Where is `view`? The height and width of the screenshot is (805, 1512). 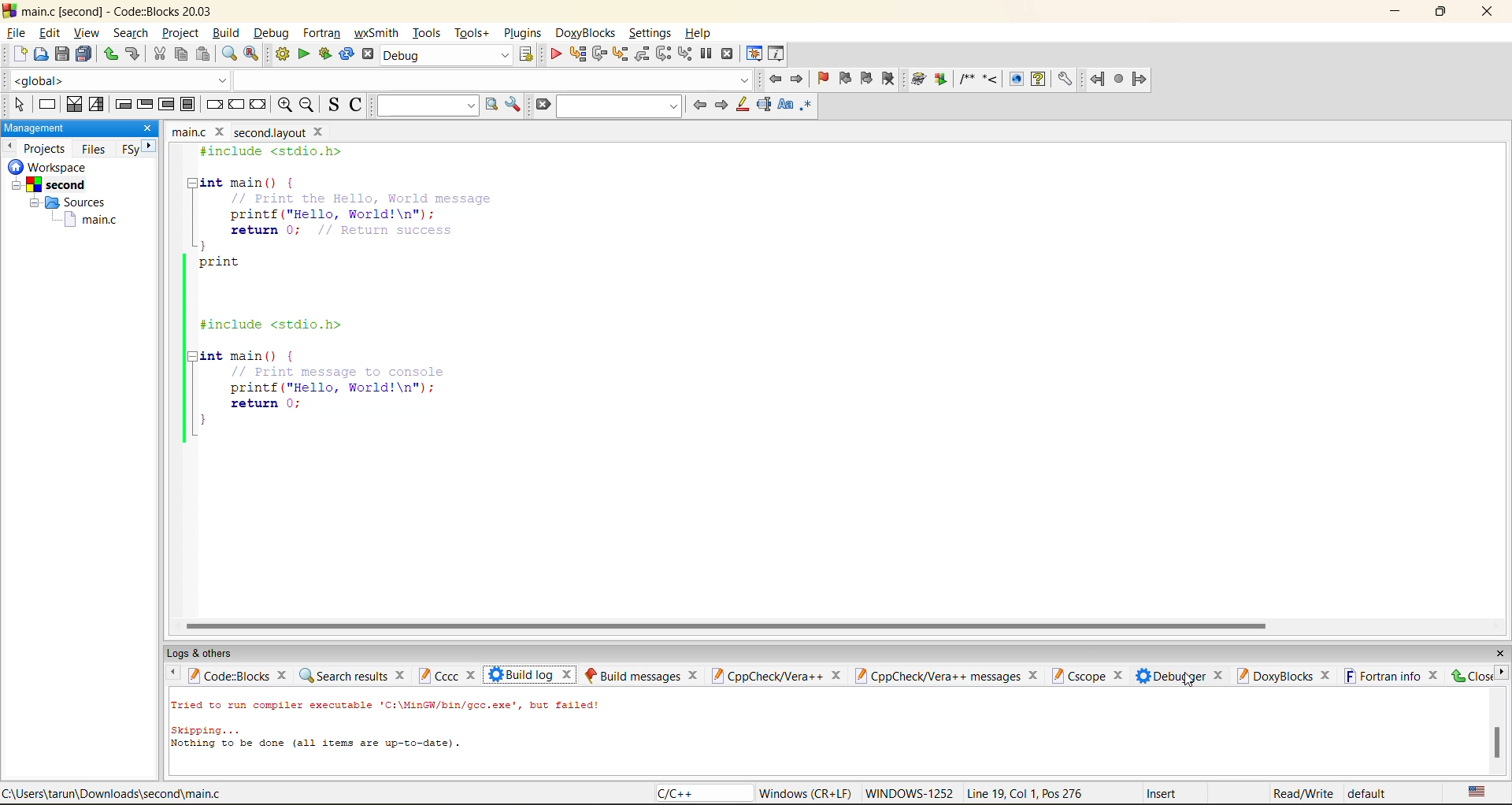 view is located at coordinates (86, 33).